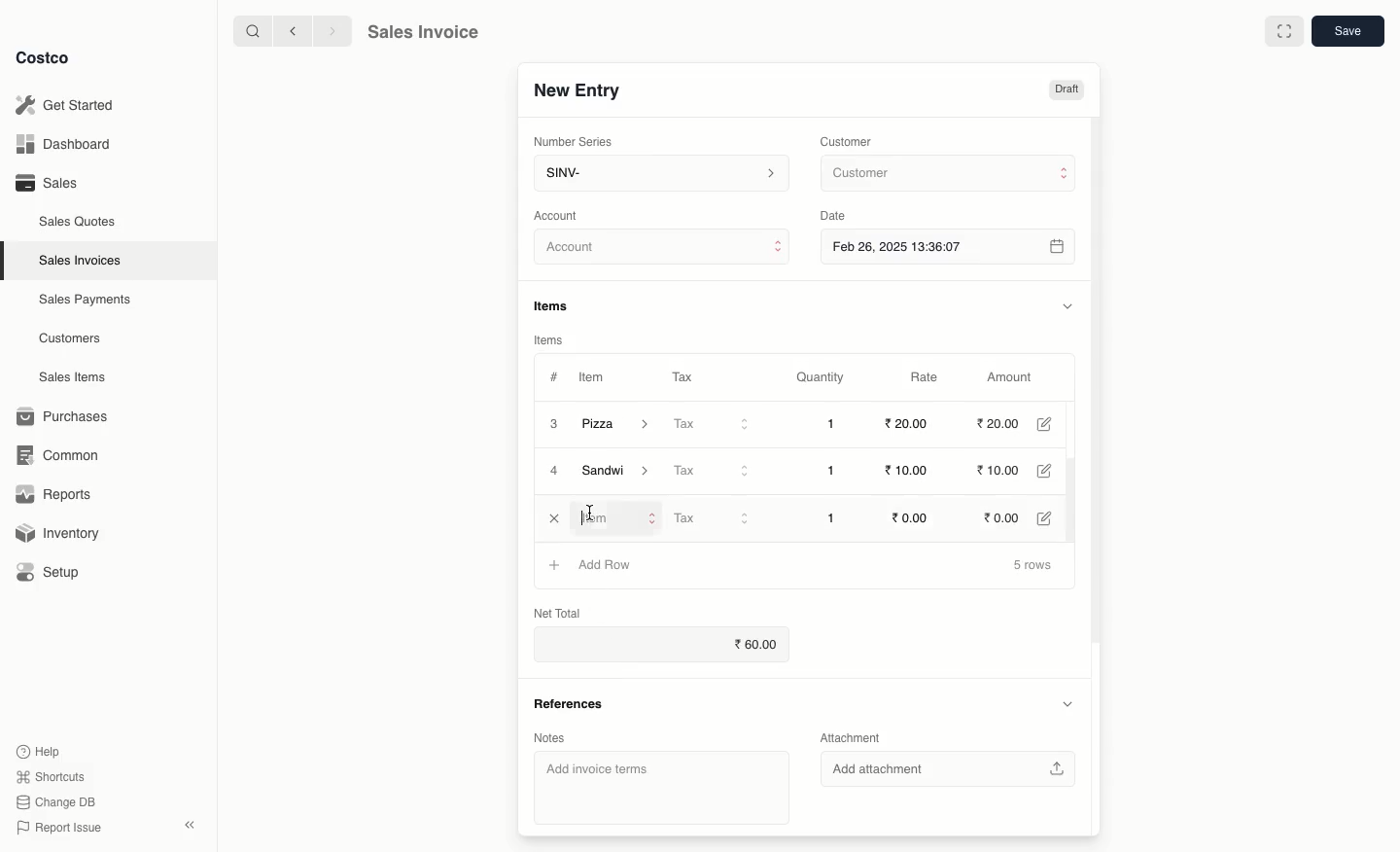 This screenshot has width=1400, height=852. What do you see at coordinates (70, 337) in the screenshot?
I see `Customers` at bounding box center [70, 337].